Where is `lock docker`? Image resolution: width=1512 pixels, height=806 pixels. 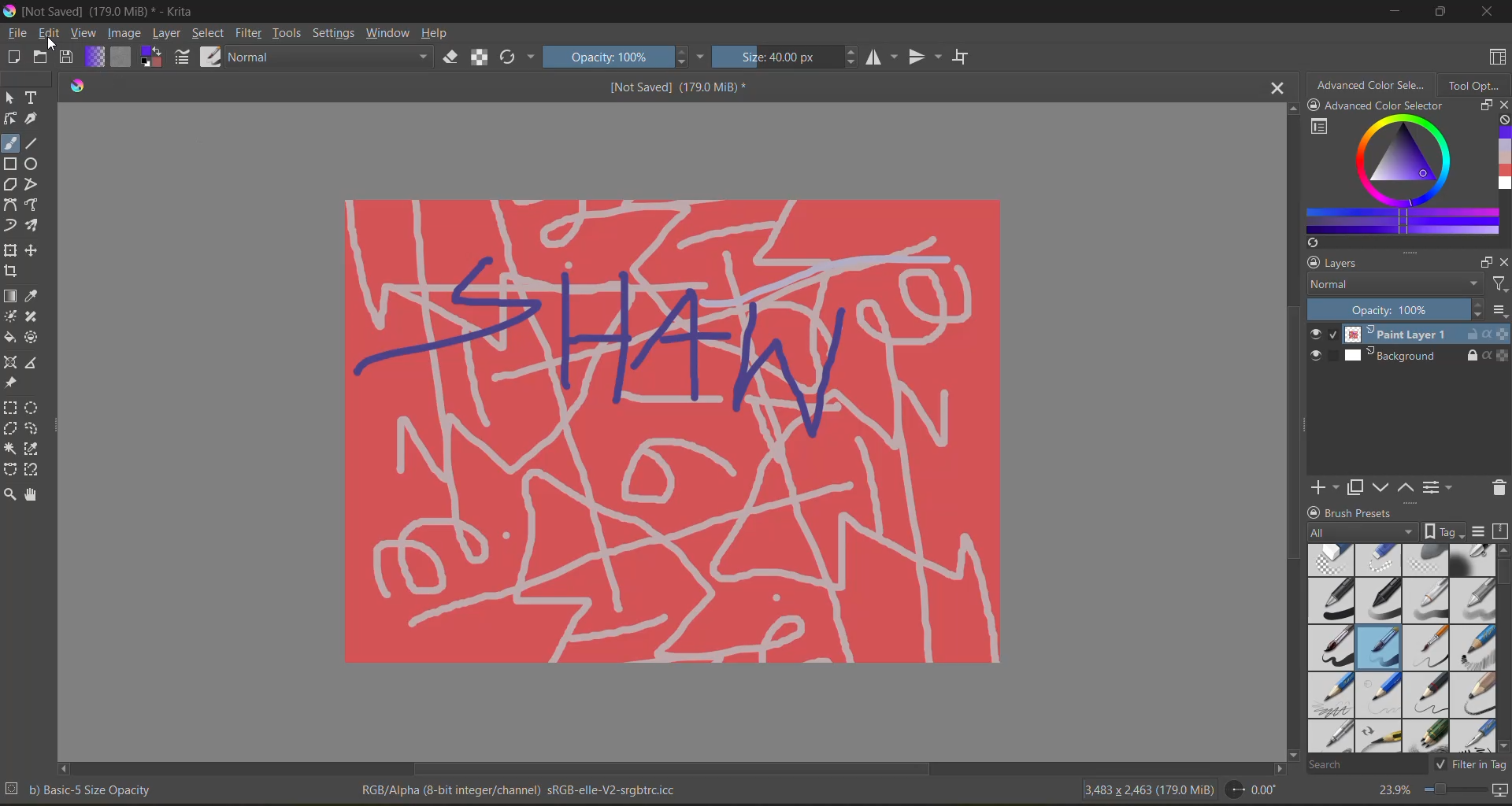
lock docker is located at coordinates (1316, 512).